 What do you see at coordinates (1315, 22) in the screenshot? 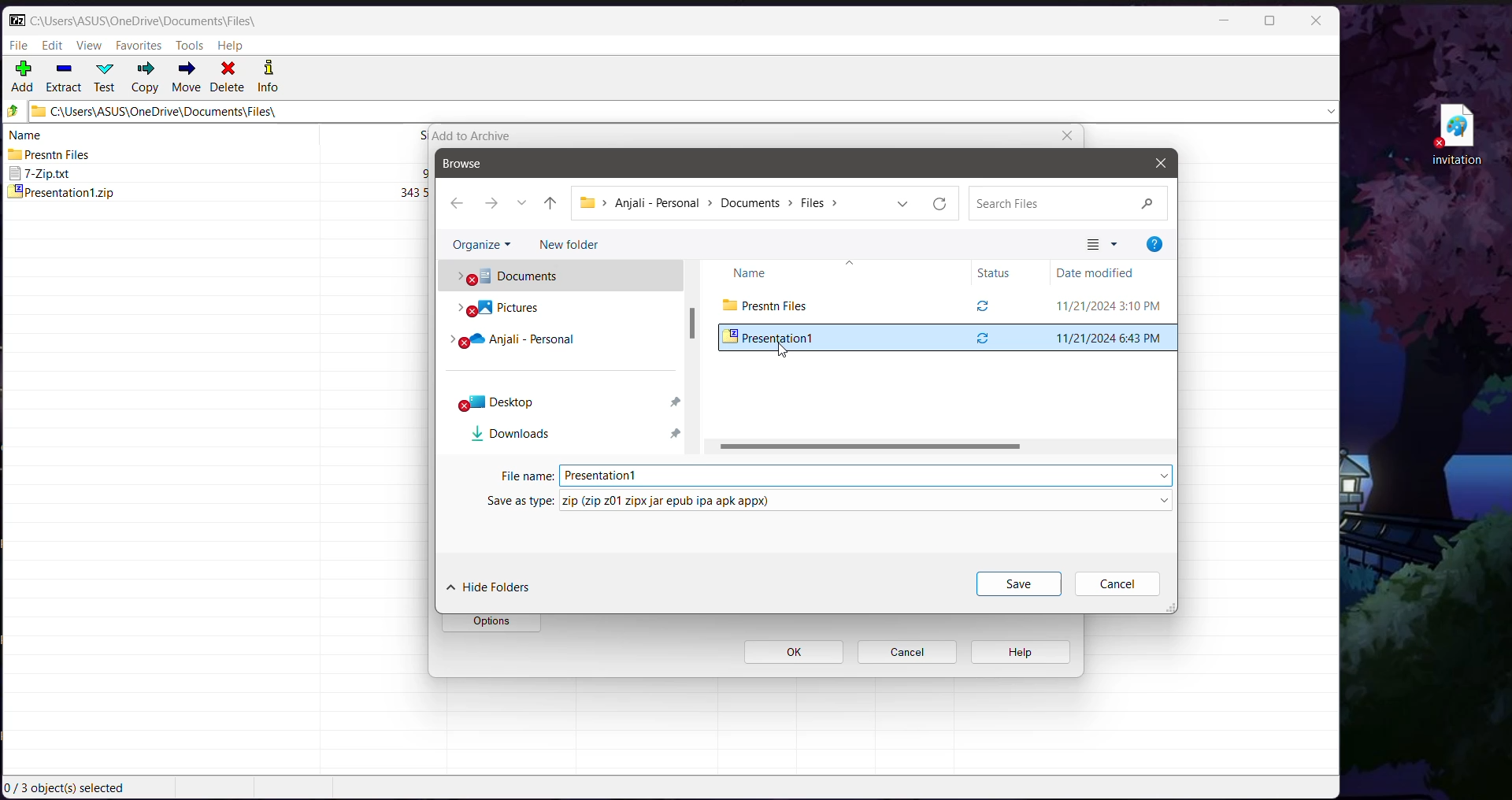
I see `Close` at bounding box center [1315, 22].